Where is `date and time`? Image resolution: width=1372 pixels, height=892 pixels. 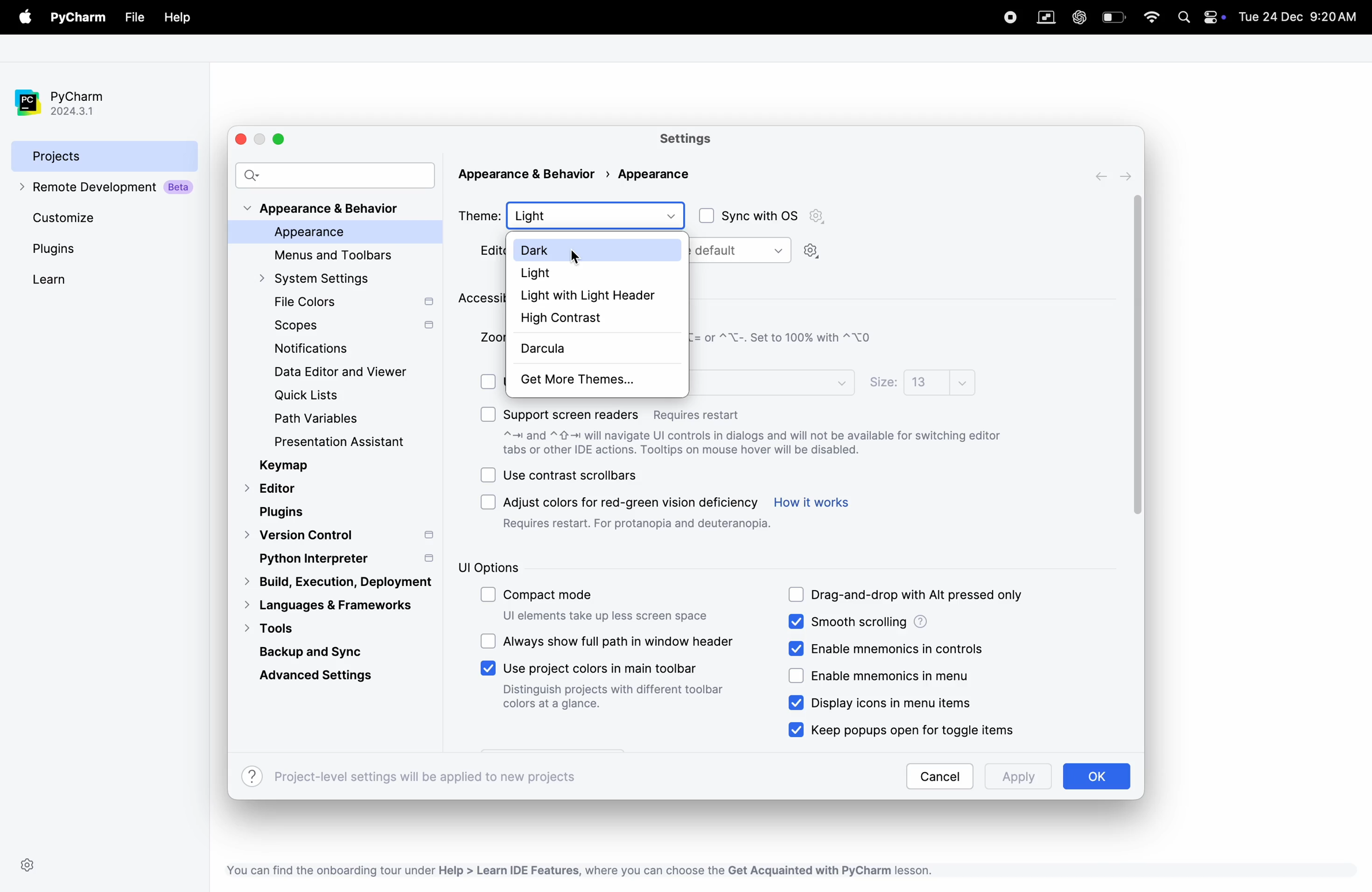
date and time is located at coordinates (1301, 16).